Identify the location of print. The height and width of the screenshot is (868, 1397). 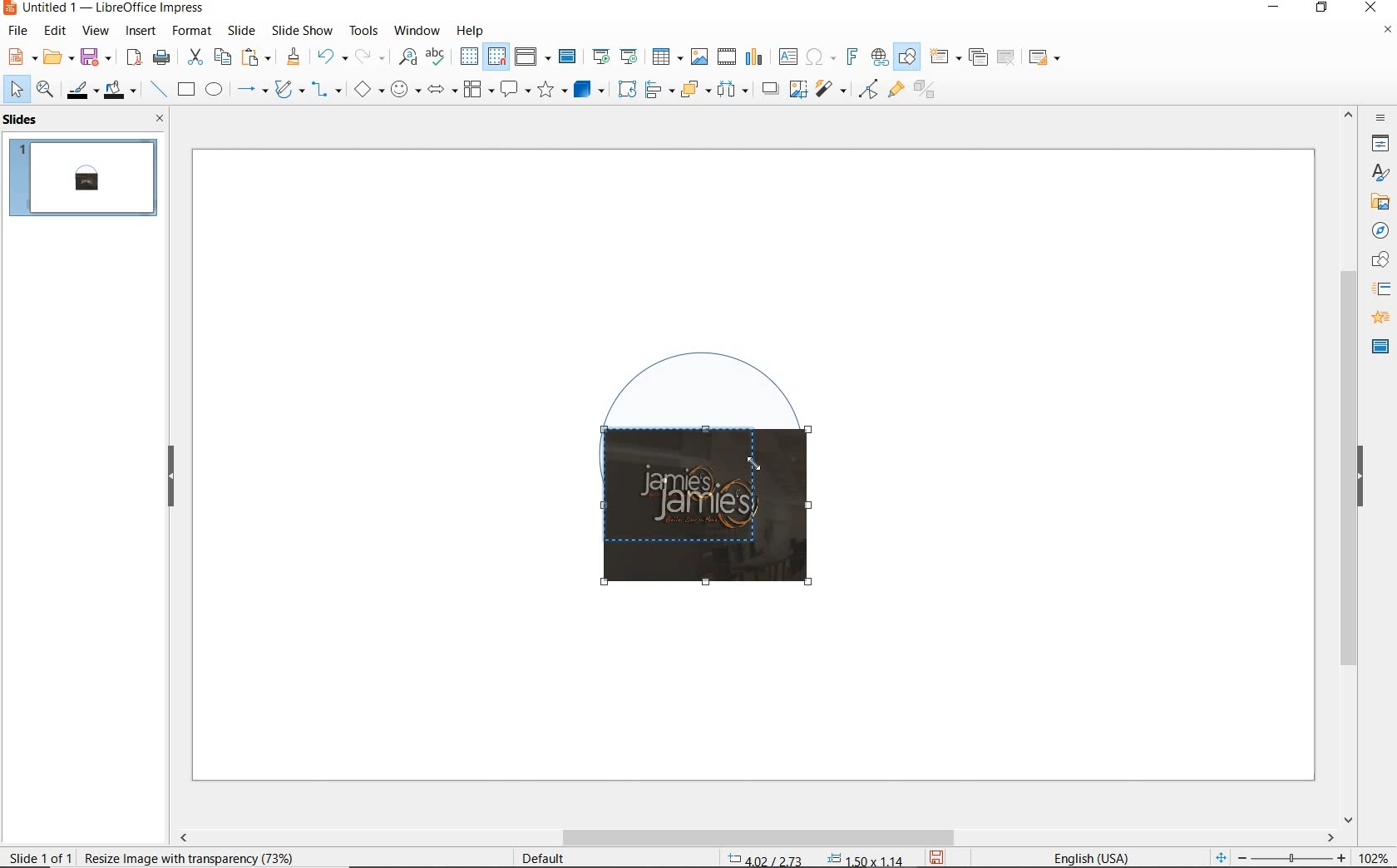
(161, 56).